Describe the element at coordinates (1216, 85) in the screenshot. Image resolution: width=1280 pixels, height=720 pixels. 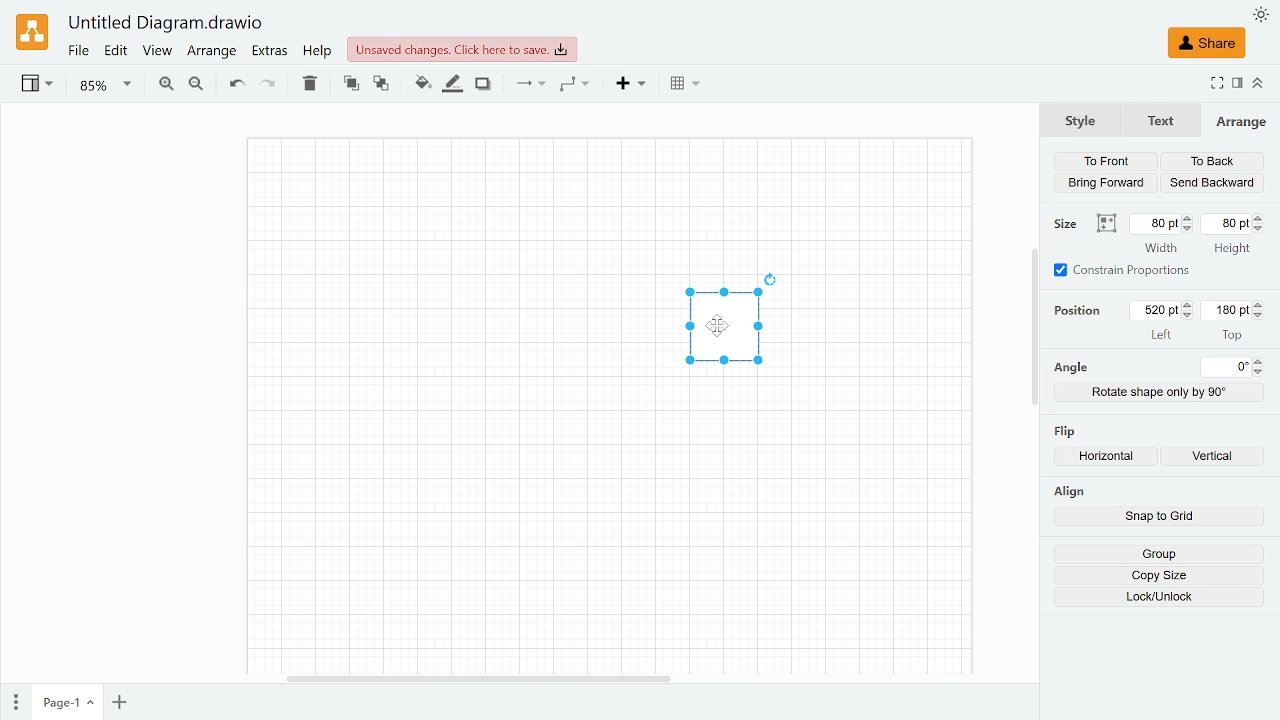
I see `Fullscreen` at that location.